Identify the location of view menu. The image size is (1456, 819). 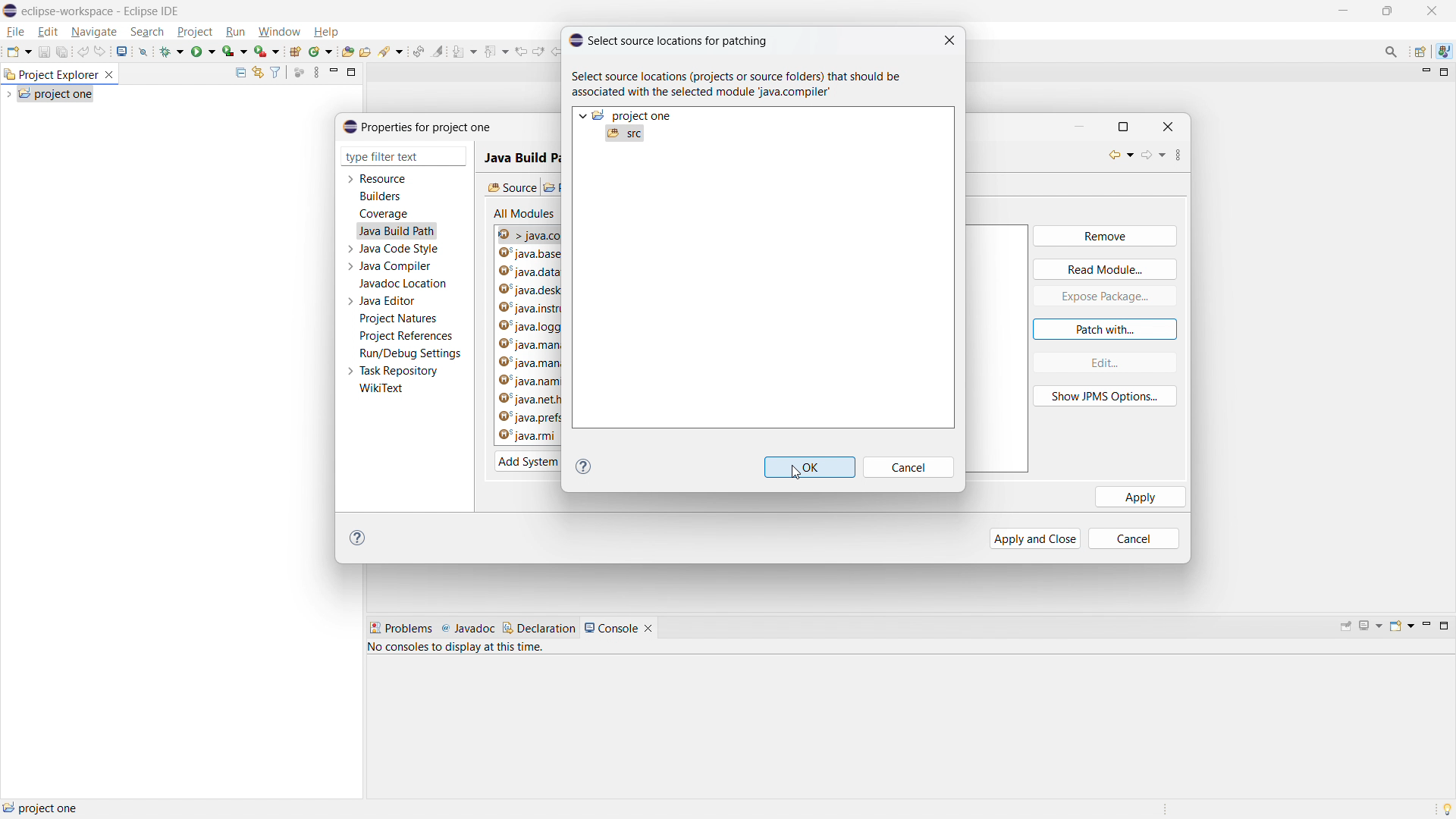
(316, 72).